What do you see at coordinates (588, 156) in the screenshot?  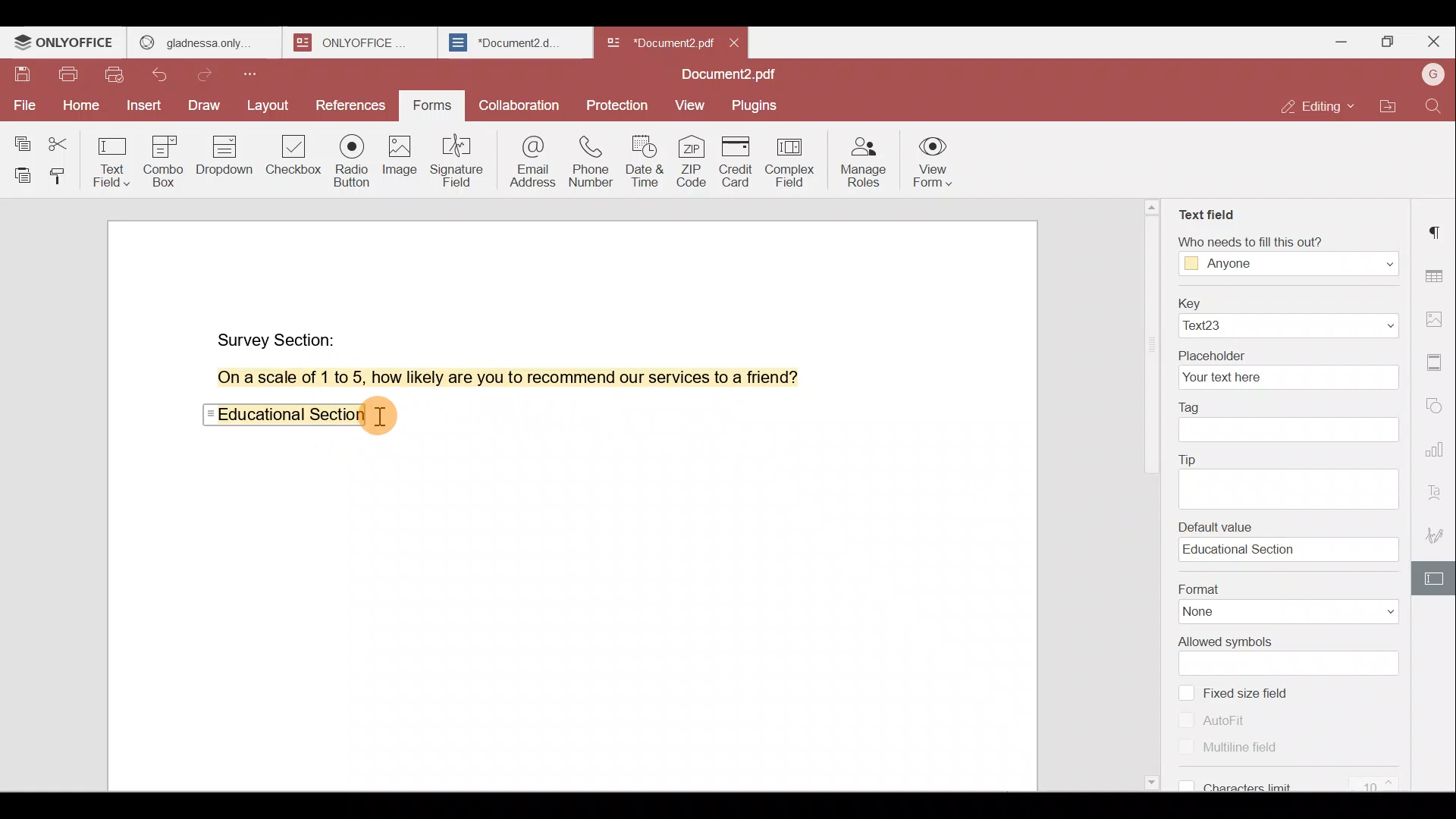 I see `Phone number` at bounding box center [588, 156].